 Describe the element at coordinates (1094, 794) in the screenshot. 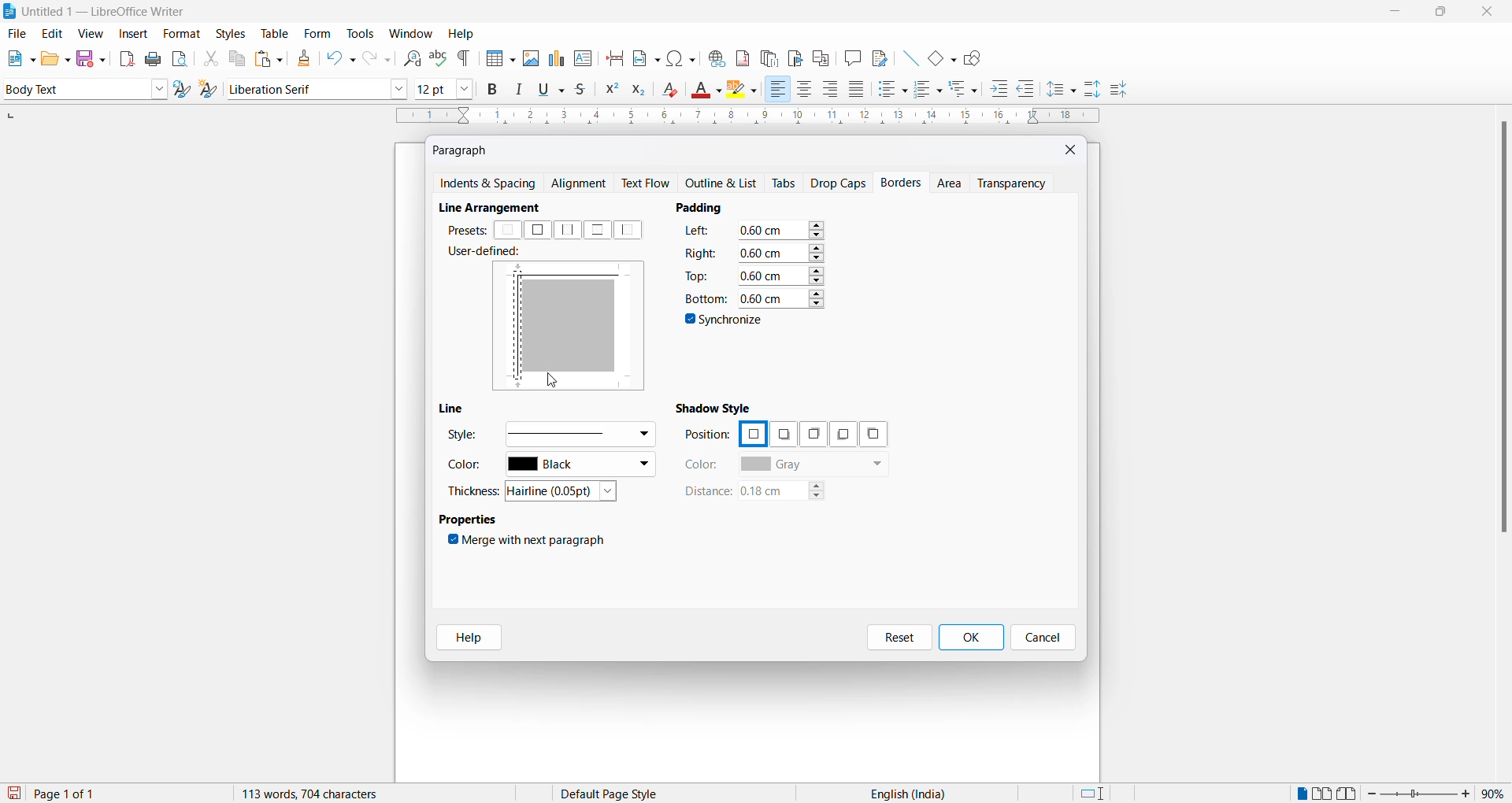

I see `standard selection` at that location.